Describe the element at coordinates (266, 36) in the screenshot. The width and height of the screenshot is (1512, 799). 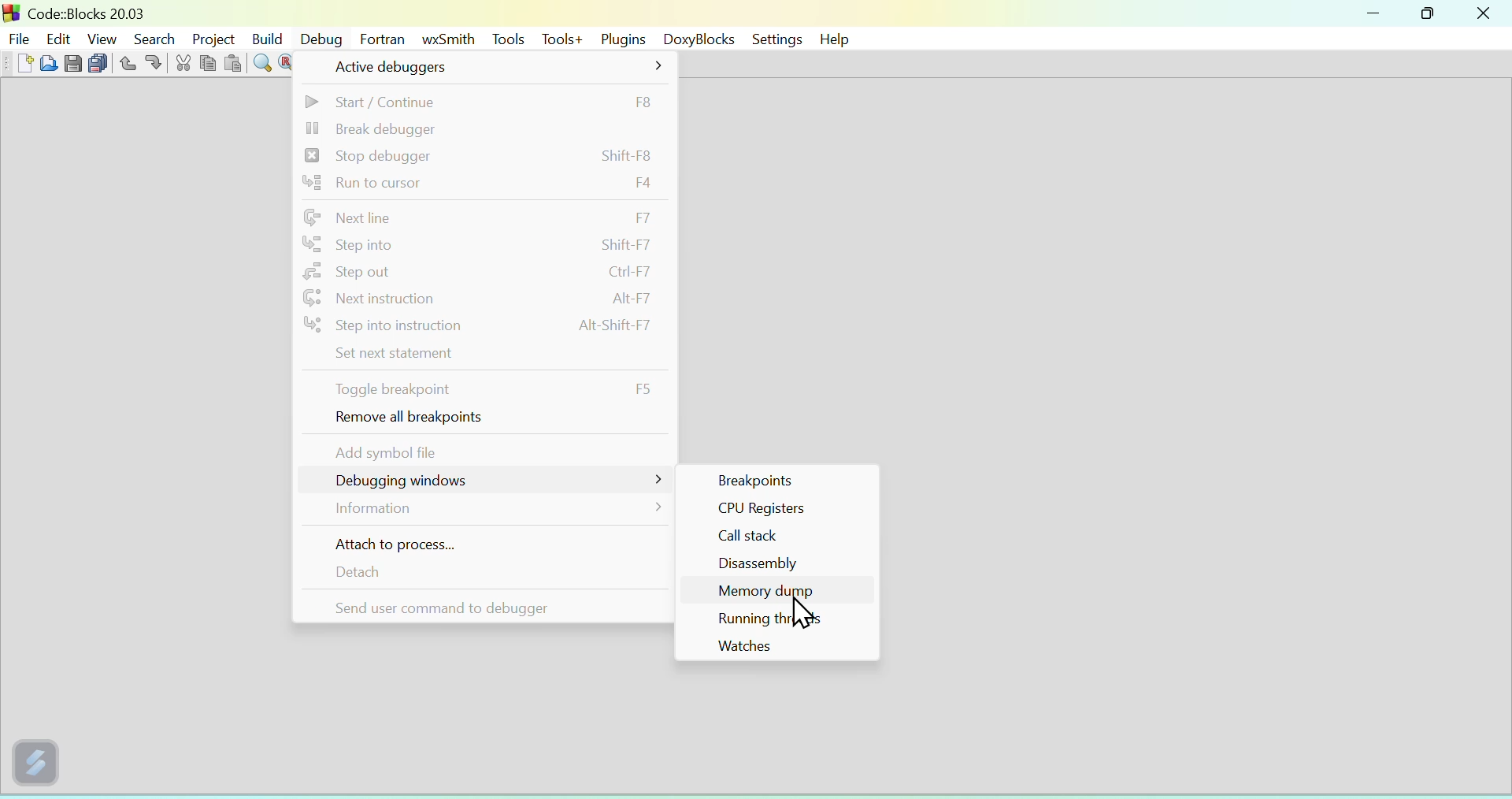
I see `Build` at that location.